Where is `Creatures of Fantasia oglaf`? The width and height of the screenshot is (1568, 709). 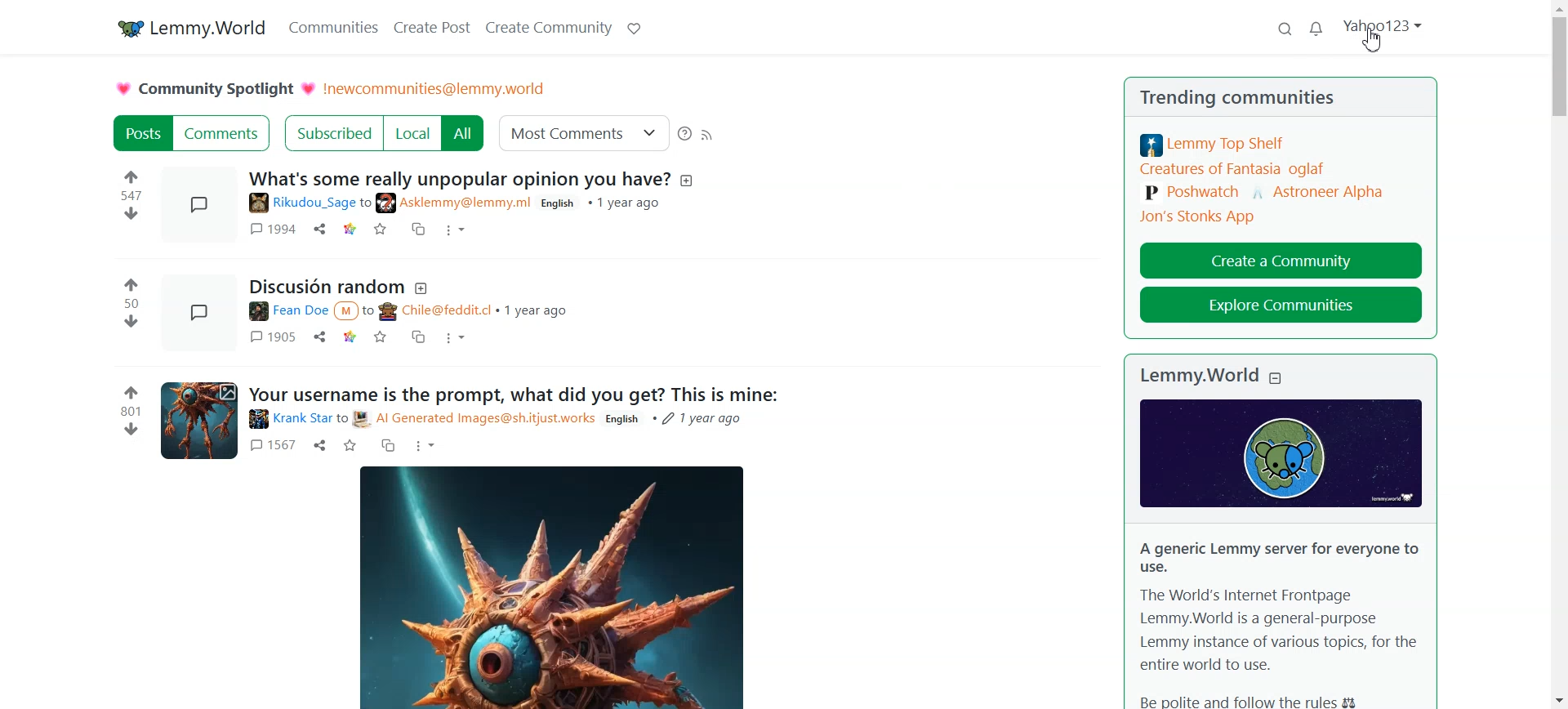
Creatures of Fantasia oglaf is located at coordinates (1233, 170).